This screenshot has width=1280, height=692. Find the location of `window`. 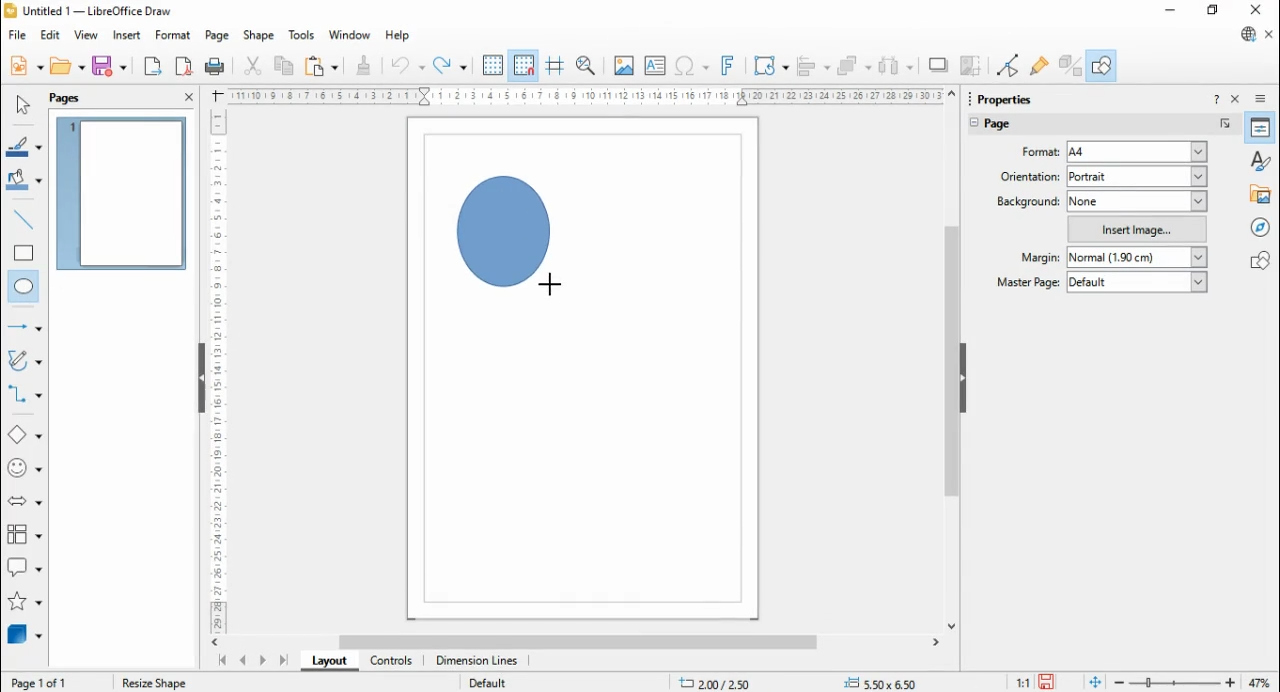

window is located at coordinates (350, 35).